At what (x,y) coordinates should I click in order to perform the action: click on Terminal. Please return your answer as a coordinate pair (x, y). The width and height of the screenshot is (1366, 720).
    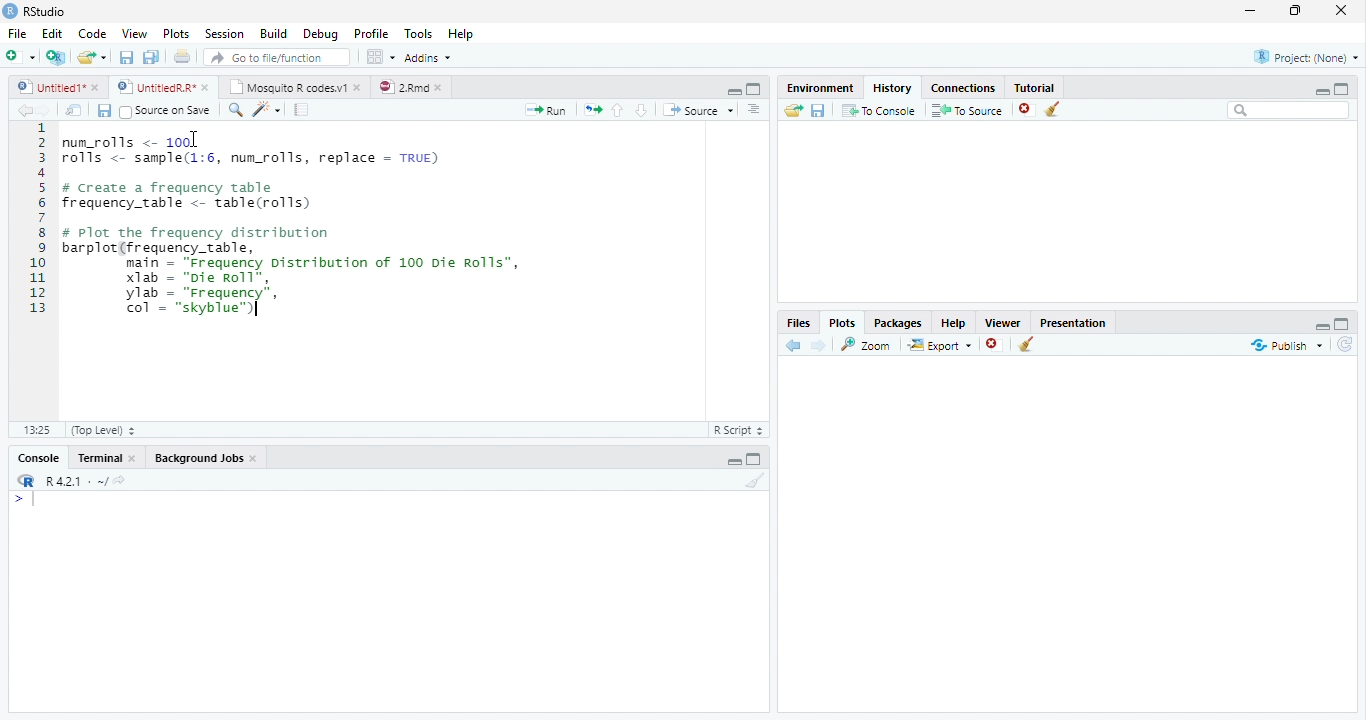
    Looking at the image, I should click on (109, 457).